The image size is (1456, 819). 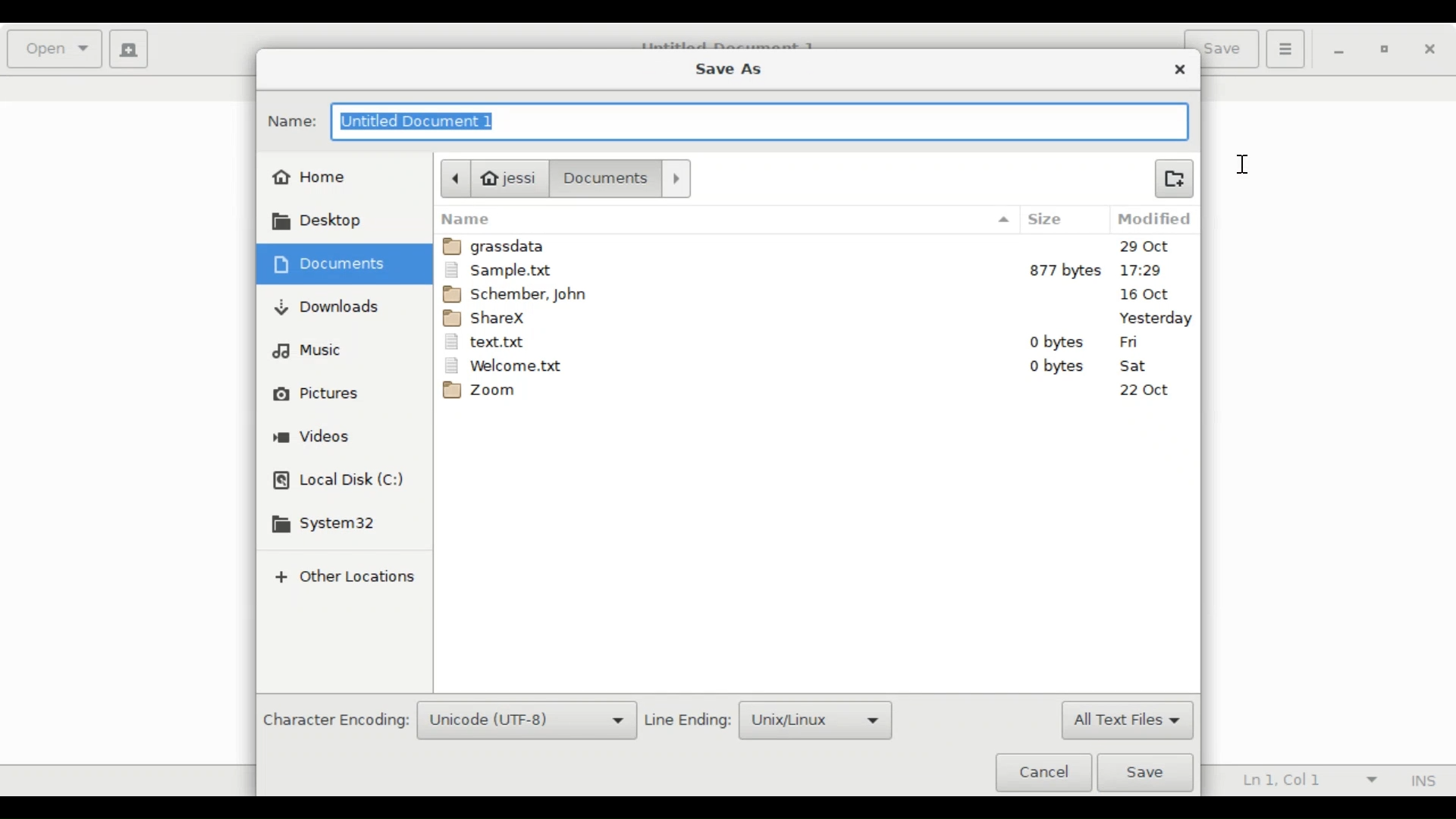 I want to click on Line Ending, so click(x=689, y=720).